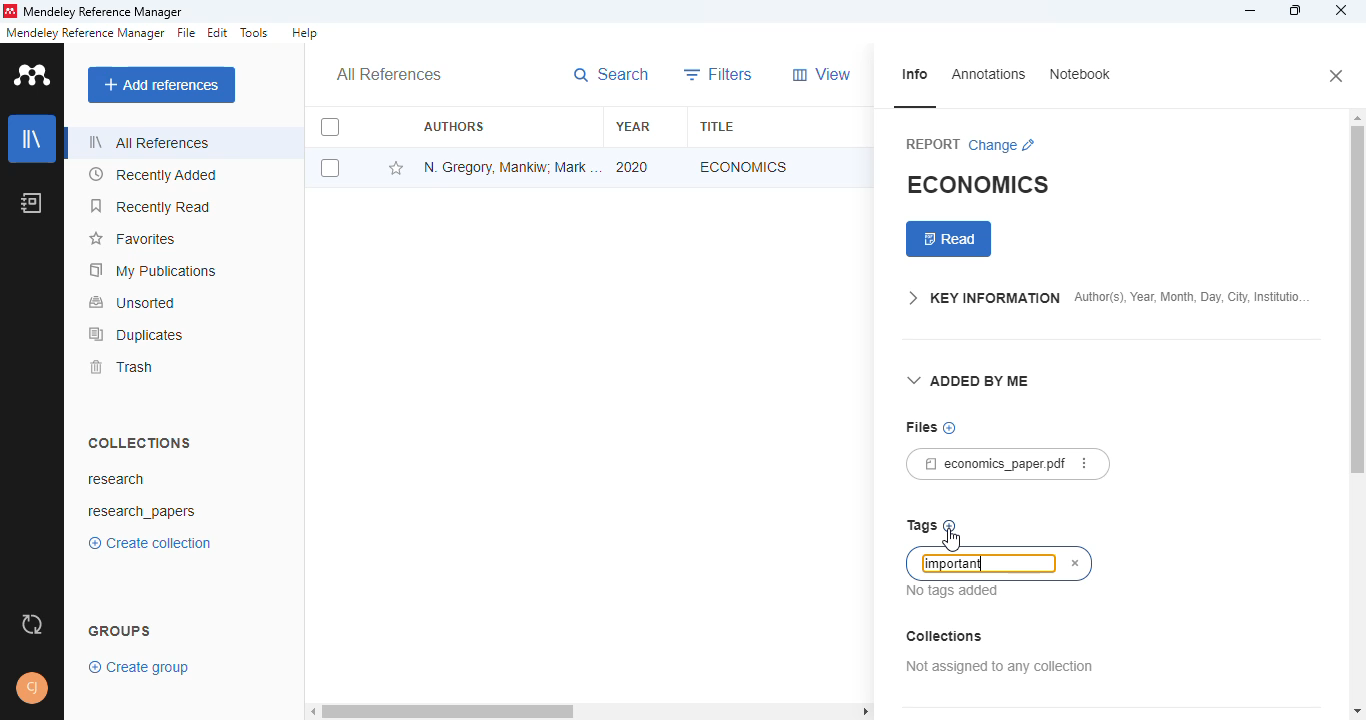 The width and height of the screenshot is (1366, 720). What do you see at coordinates (454, 125) in the screenshot?
I see `authors` at bounding box center [454, 125].